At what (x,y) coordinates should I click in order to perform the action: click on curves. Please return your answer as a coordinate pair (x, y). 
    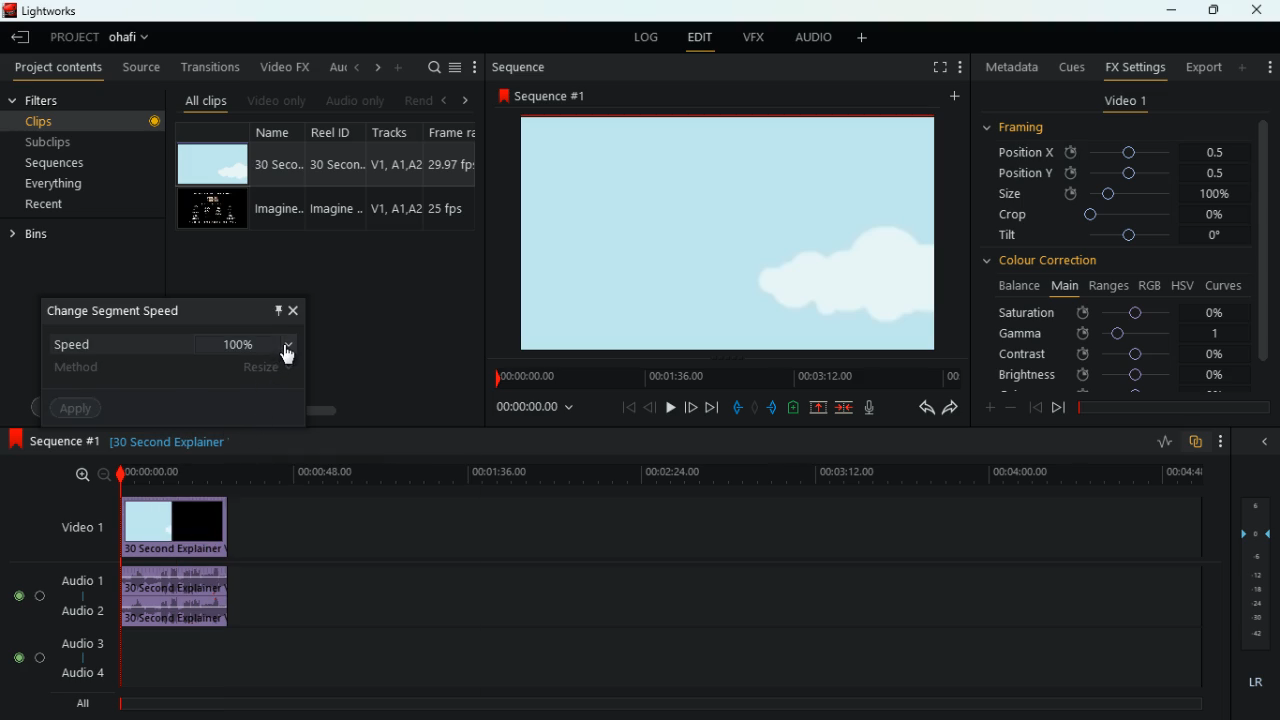
    Looking at the image, I should click on (1224, 284).